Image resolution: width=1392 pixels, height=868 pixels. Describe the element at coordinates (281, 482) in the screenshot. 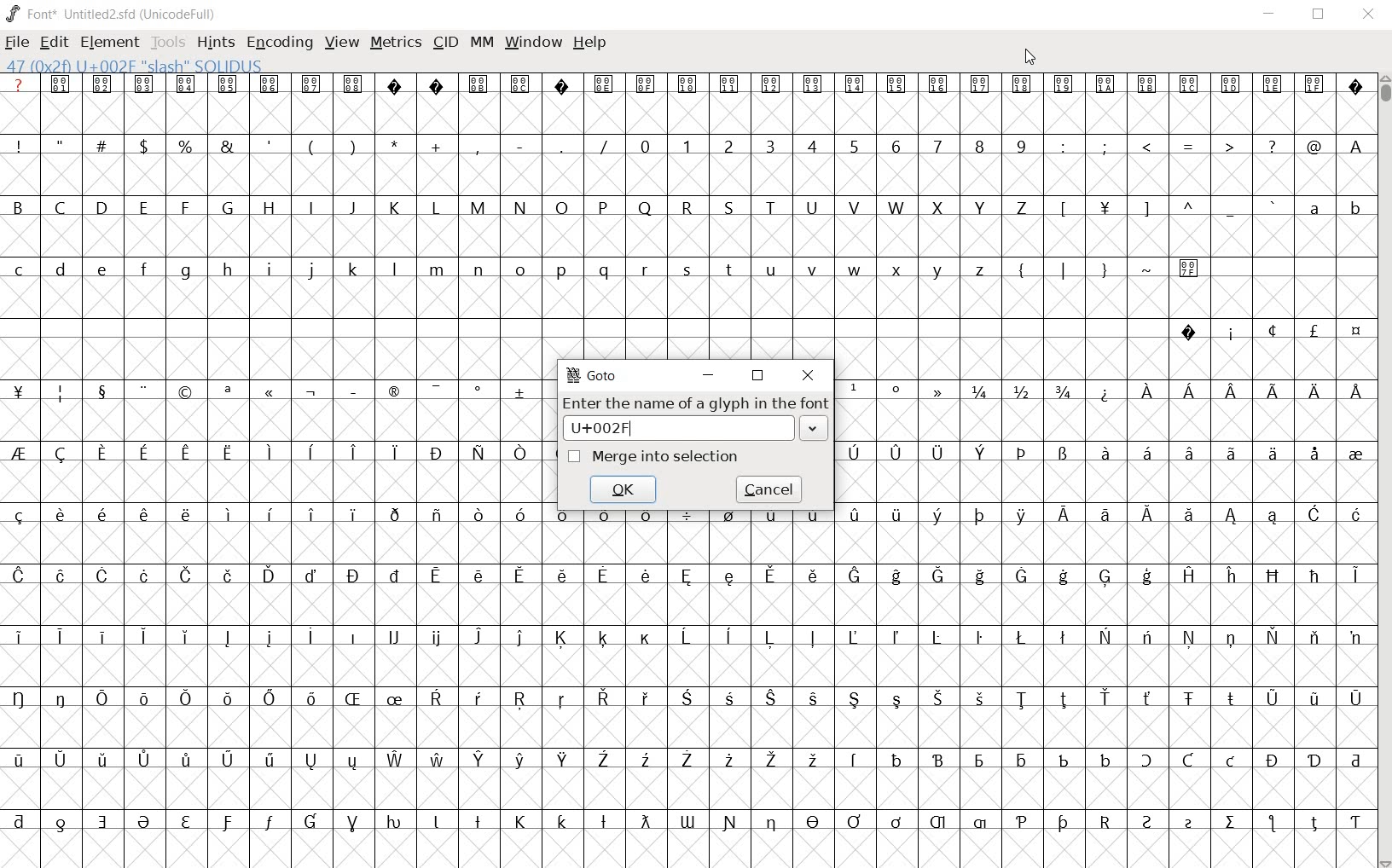

I see `empty cells` at that location.